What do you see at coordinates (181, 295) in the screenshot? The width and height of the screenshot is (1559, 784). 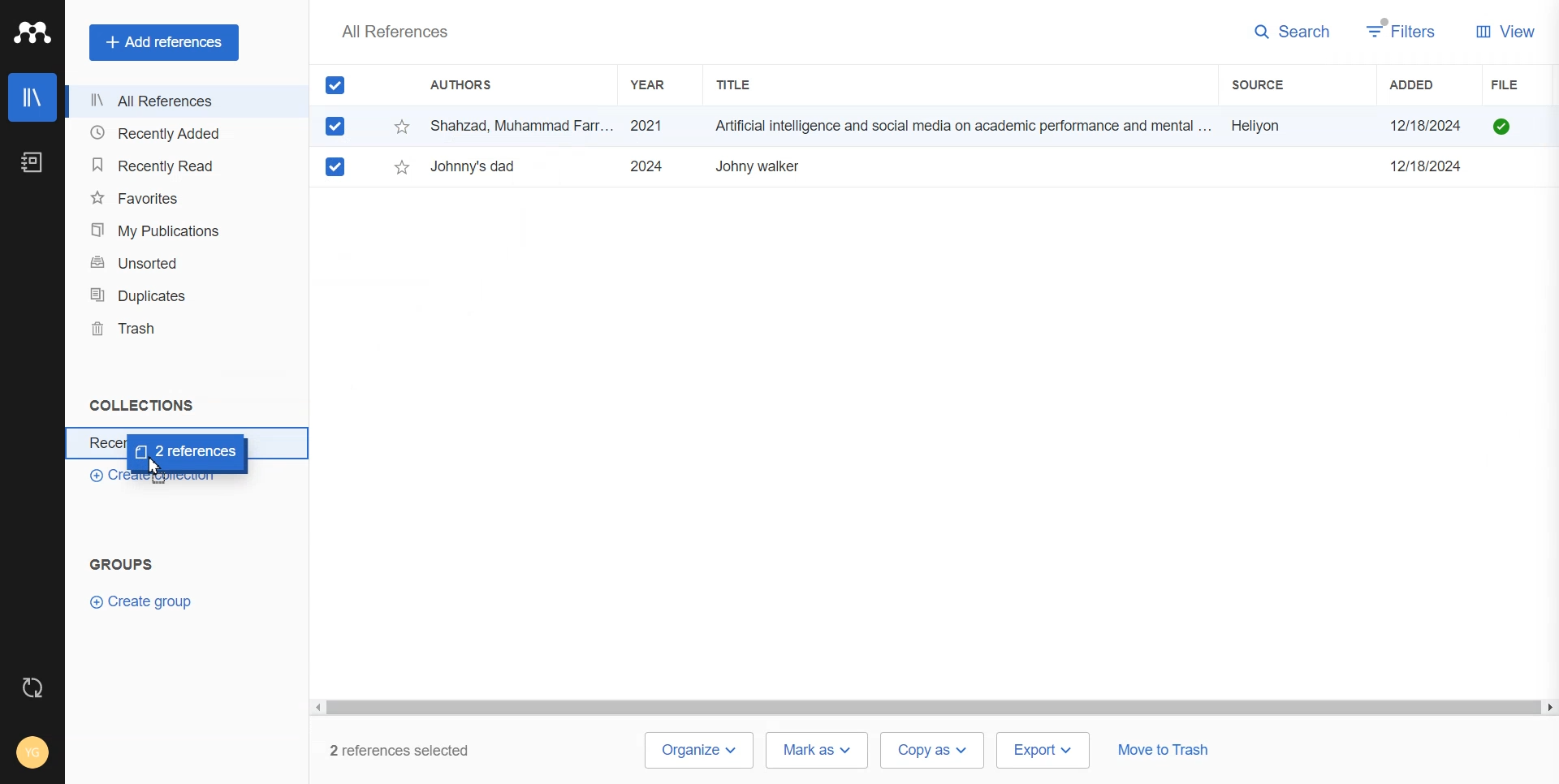 I see `Duplicates` at bounding box center [181, 295].